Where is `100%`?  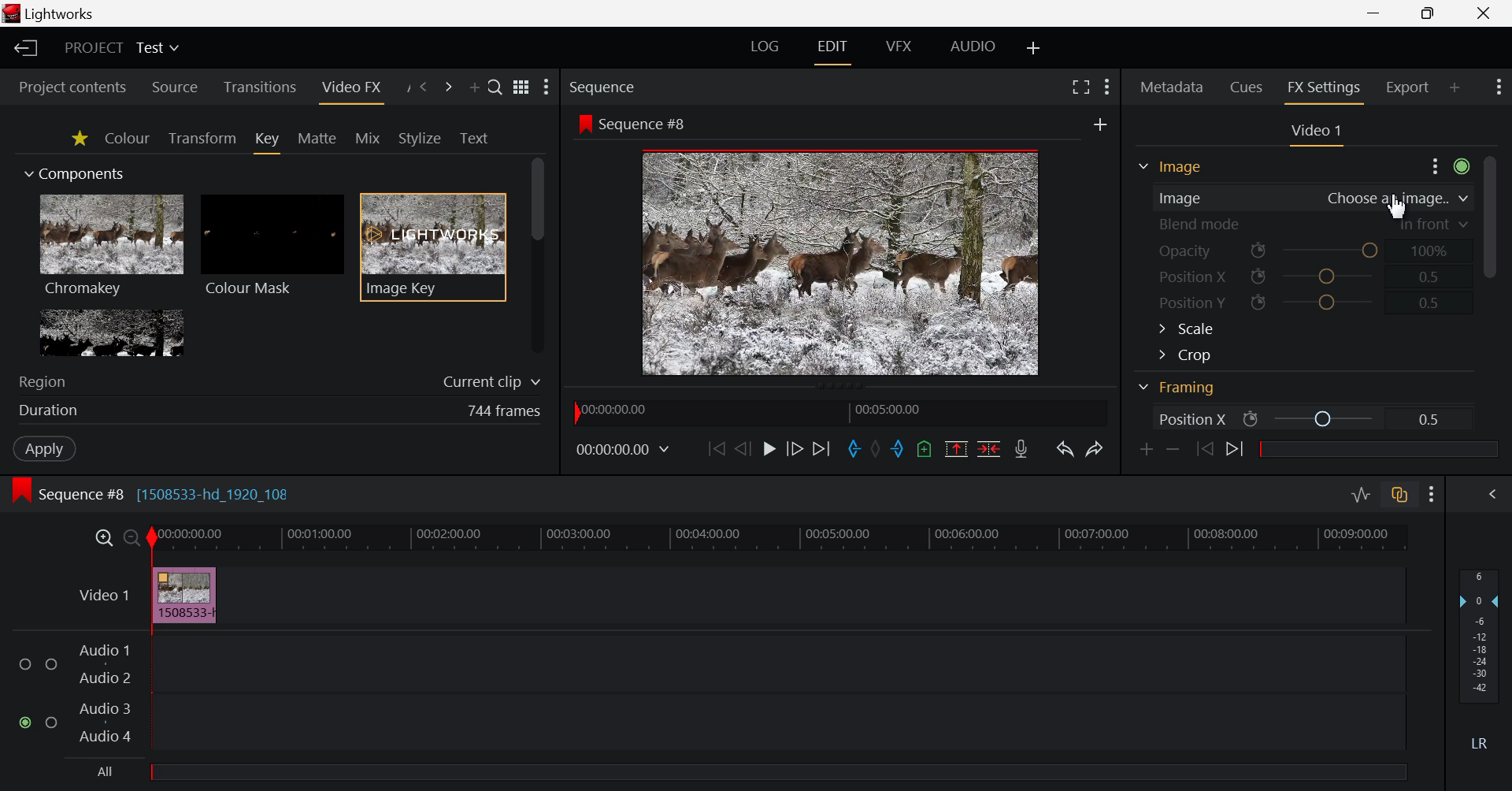
100% is located at coordinates (1429, 249).